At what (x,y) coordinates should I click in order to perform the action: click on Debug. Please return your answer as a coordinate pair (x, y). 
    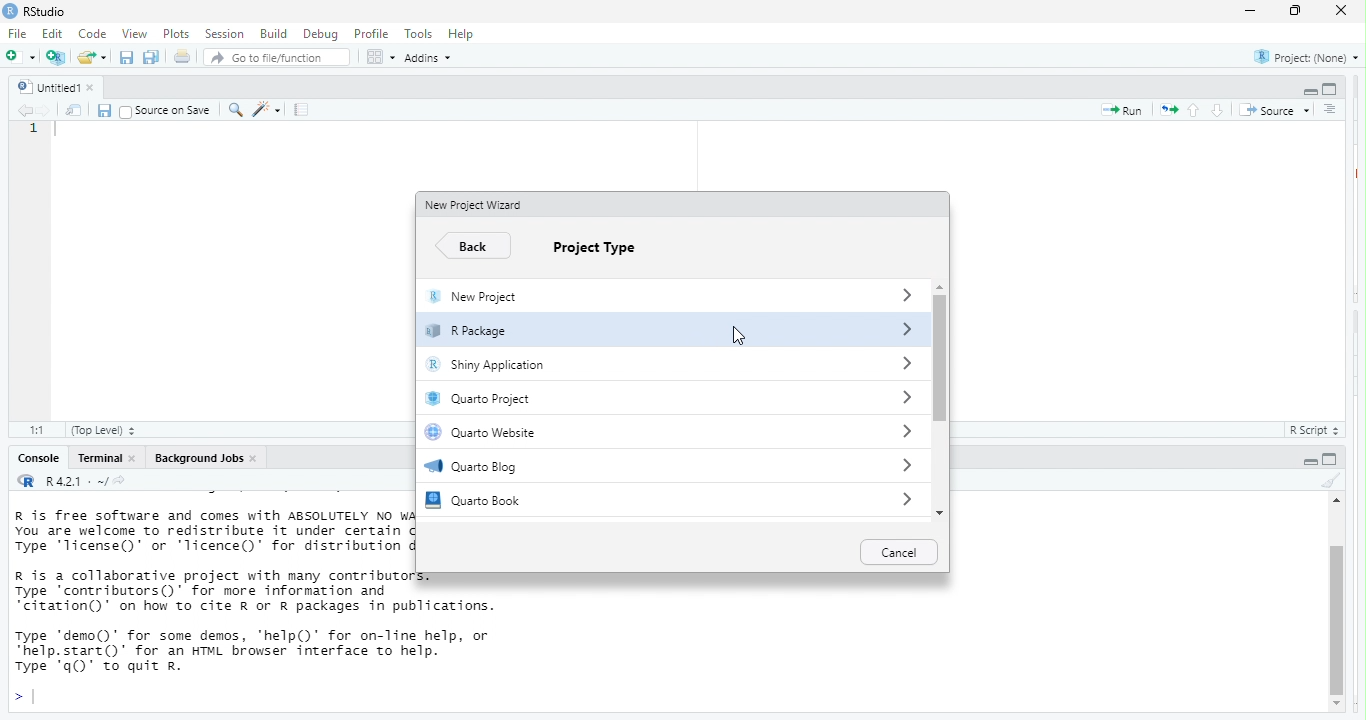
    Looking at the image, I should click on (319, 34).